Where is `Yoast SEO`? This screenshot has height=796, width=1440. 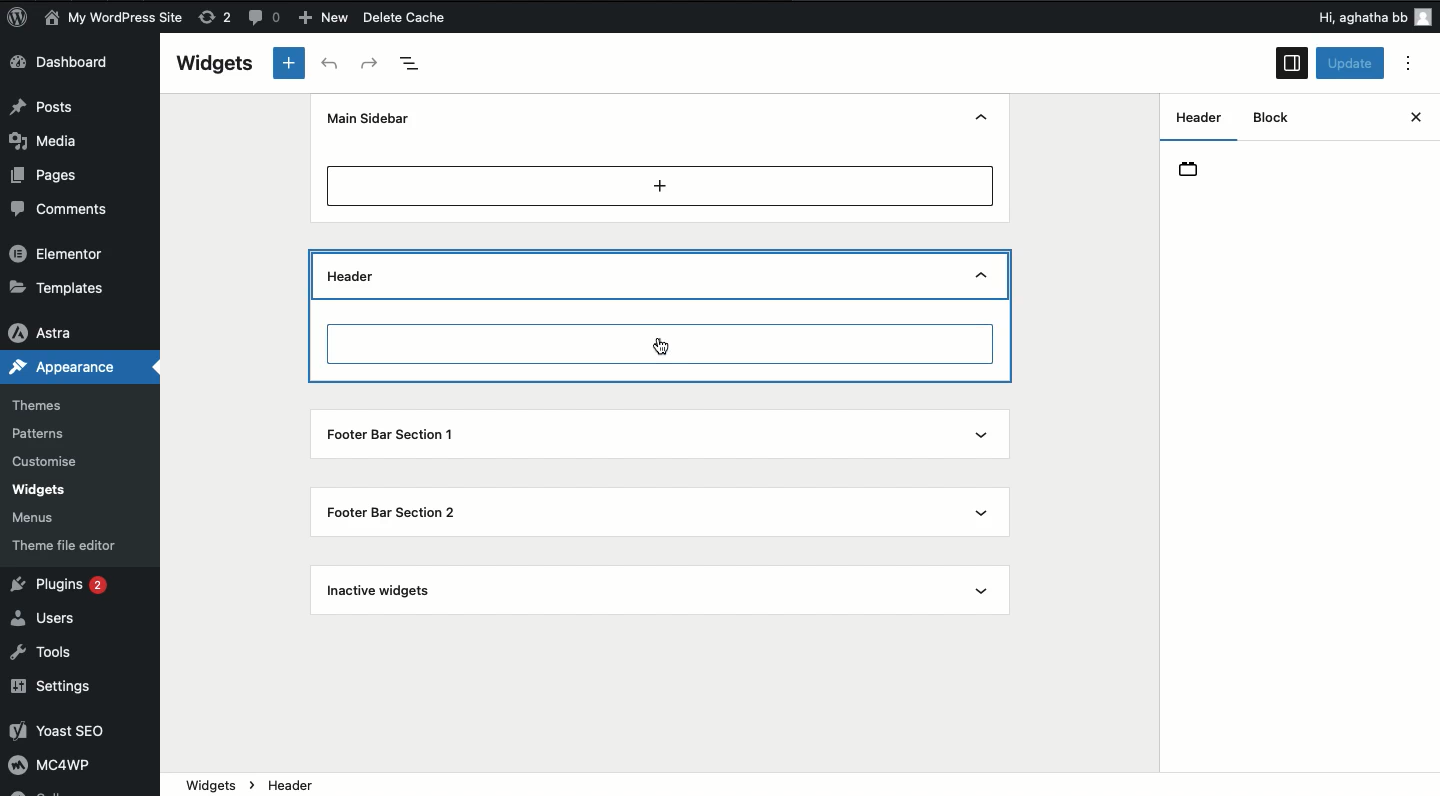 Yoast SEO is located at coordinates (73, 733).